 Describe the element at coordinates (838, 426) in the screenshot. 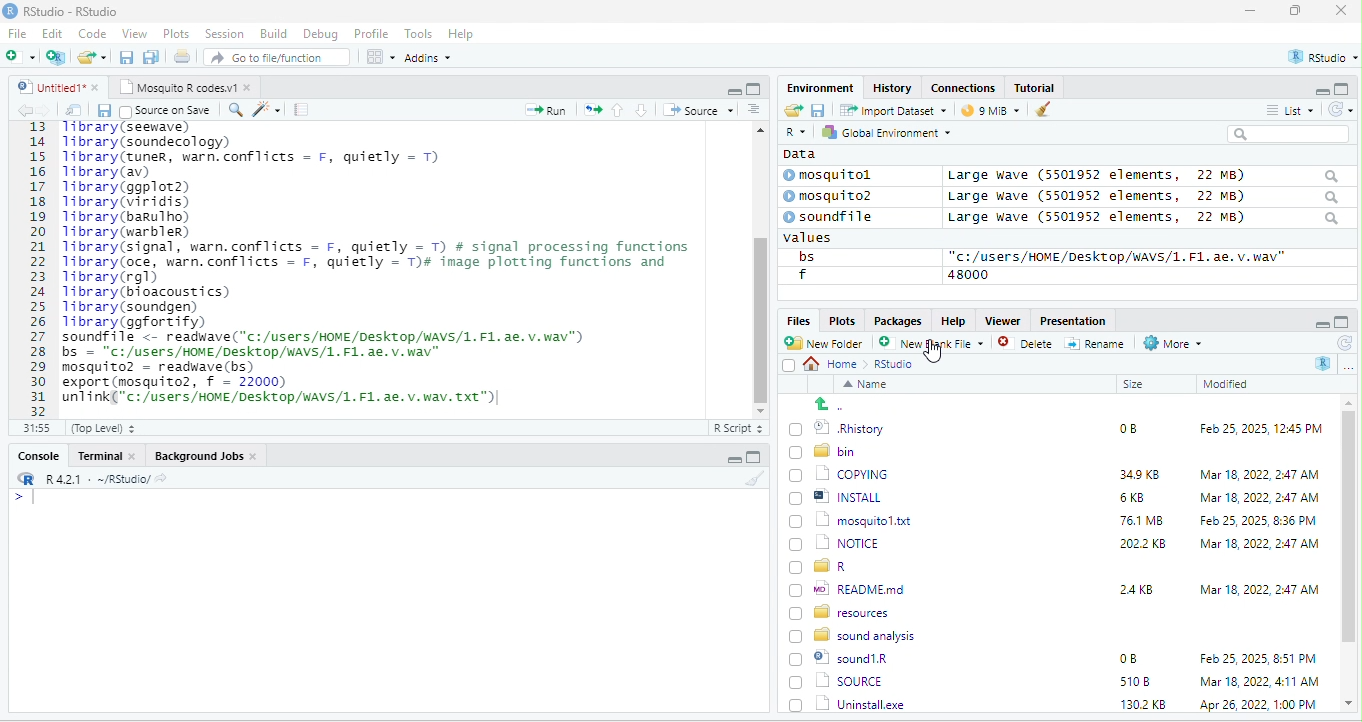

I see `© Rhistory` at that location.